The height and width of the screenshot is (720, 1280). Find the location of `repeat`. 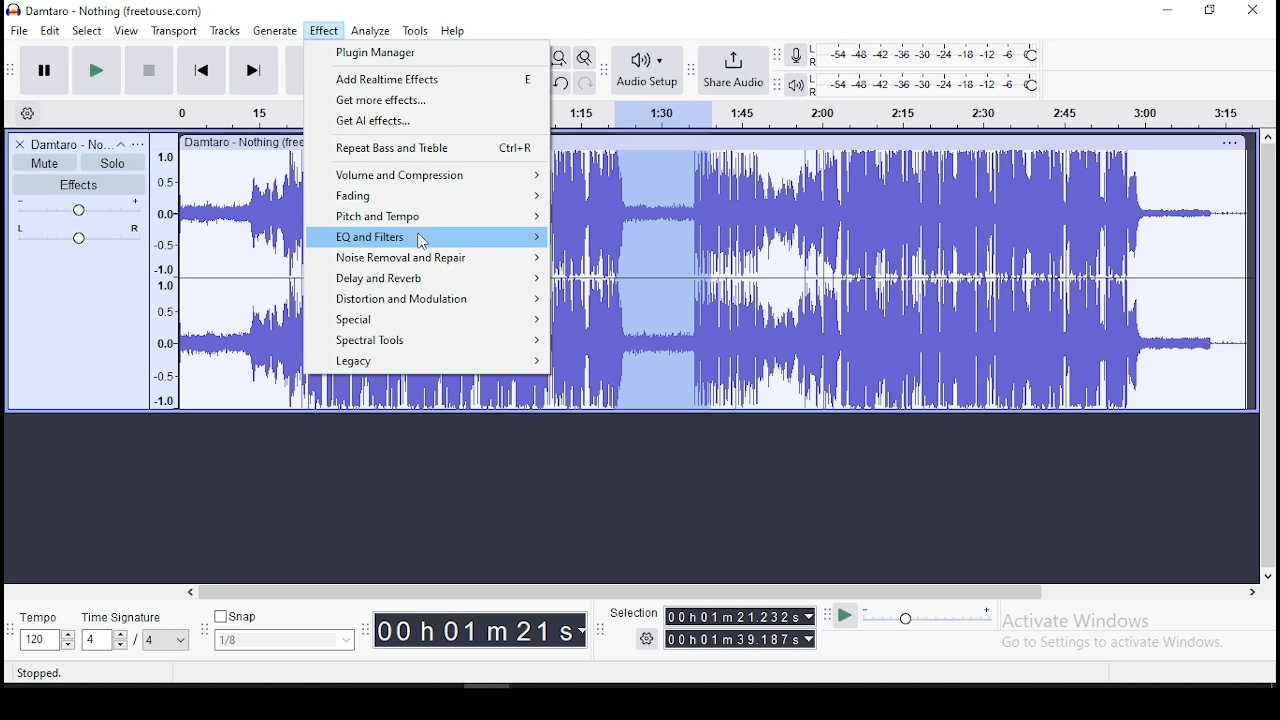

repeat is located at coordinates (425, 147).